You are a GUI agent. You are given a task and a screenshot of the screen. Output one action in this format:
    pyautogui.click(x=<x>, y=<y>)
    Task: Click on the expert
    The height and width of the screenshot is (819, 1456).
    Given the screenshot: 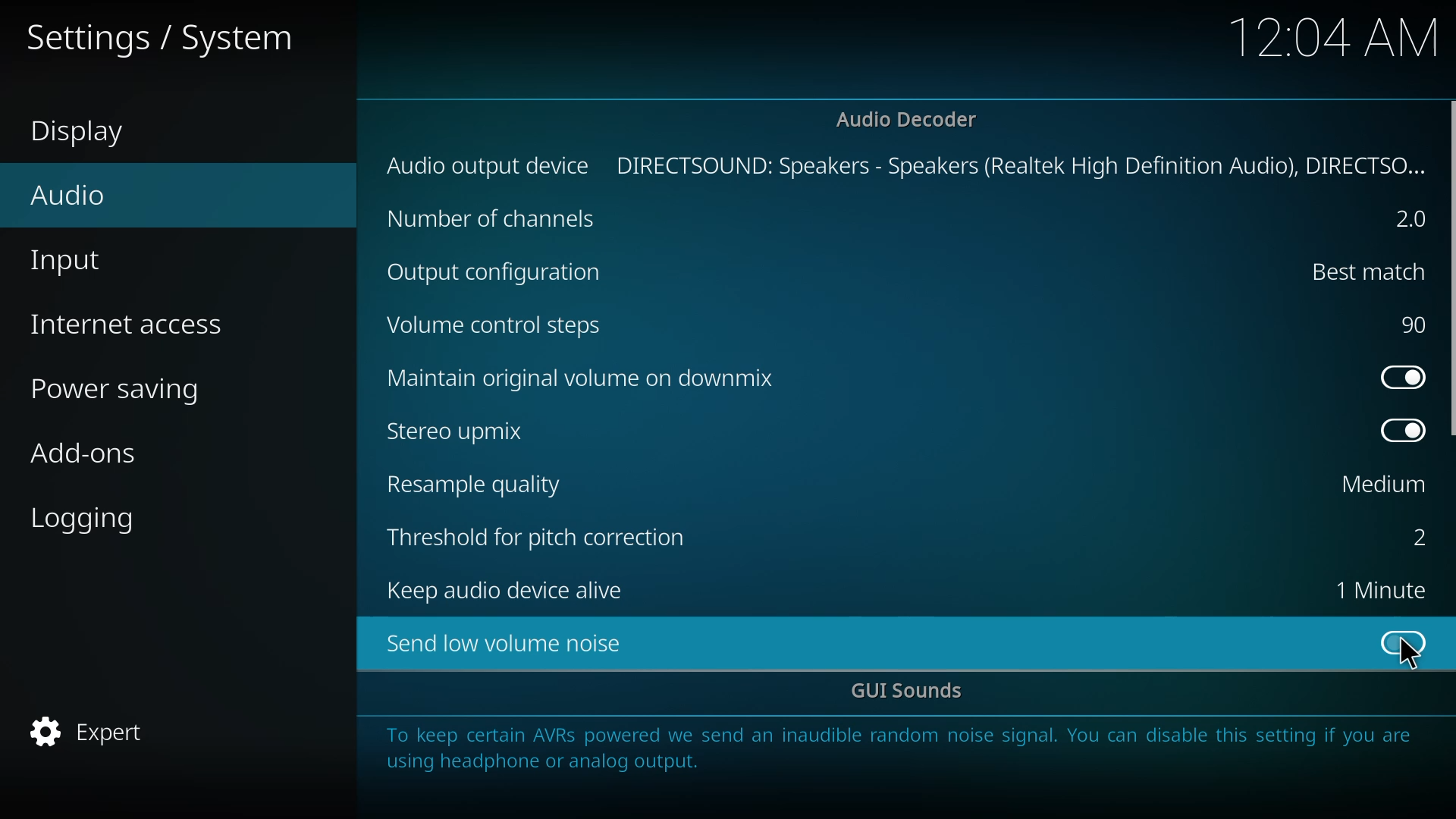 What is the action you would take?
    pyautogui.click(x=96, y=729)
    